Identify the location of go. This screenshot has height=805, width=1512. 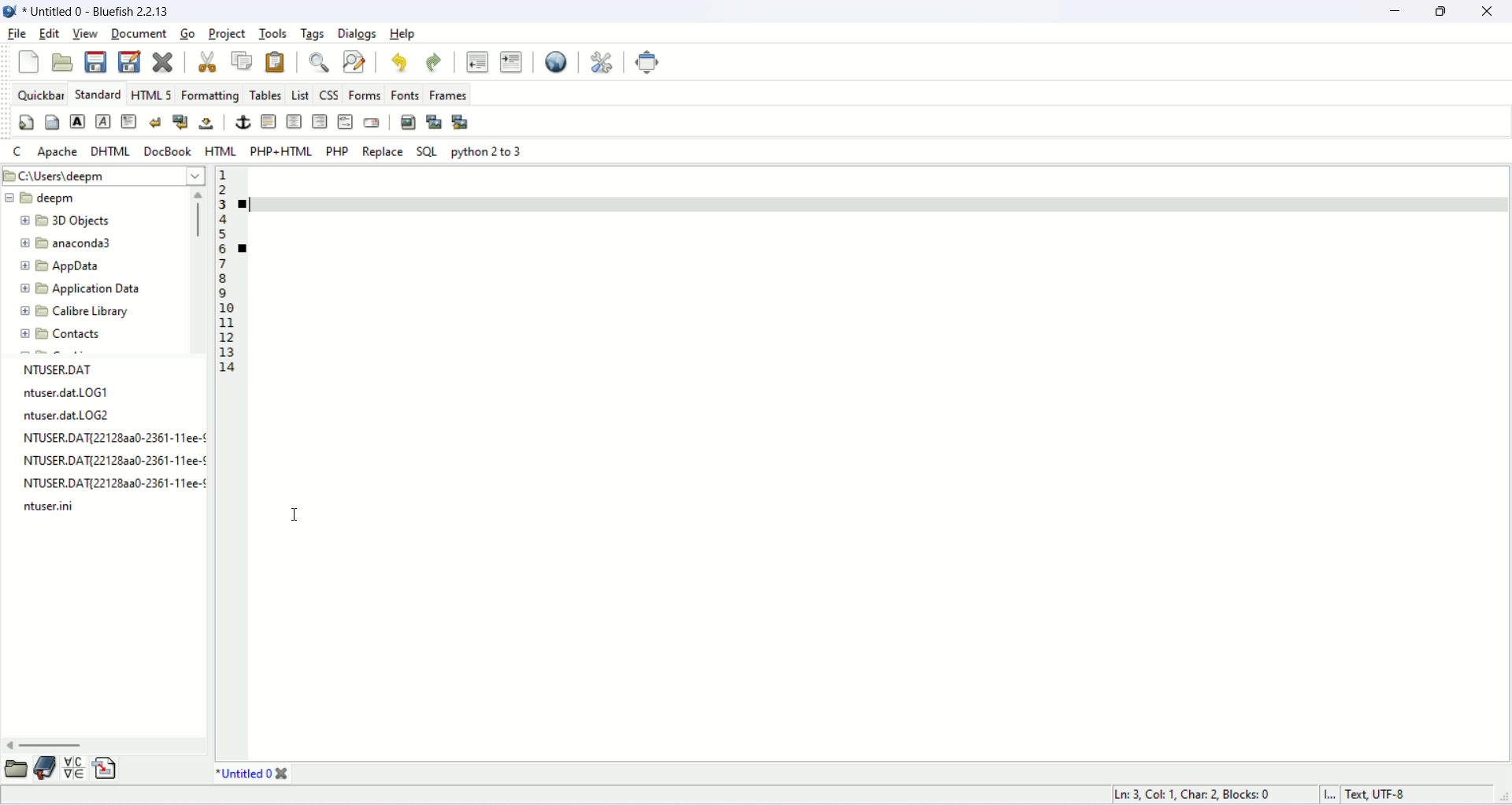
(187, 34).